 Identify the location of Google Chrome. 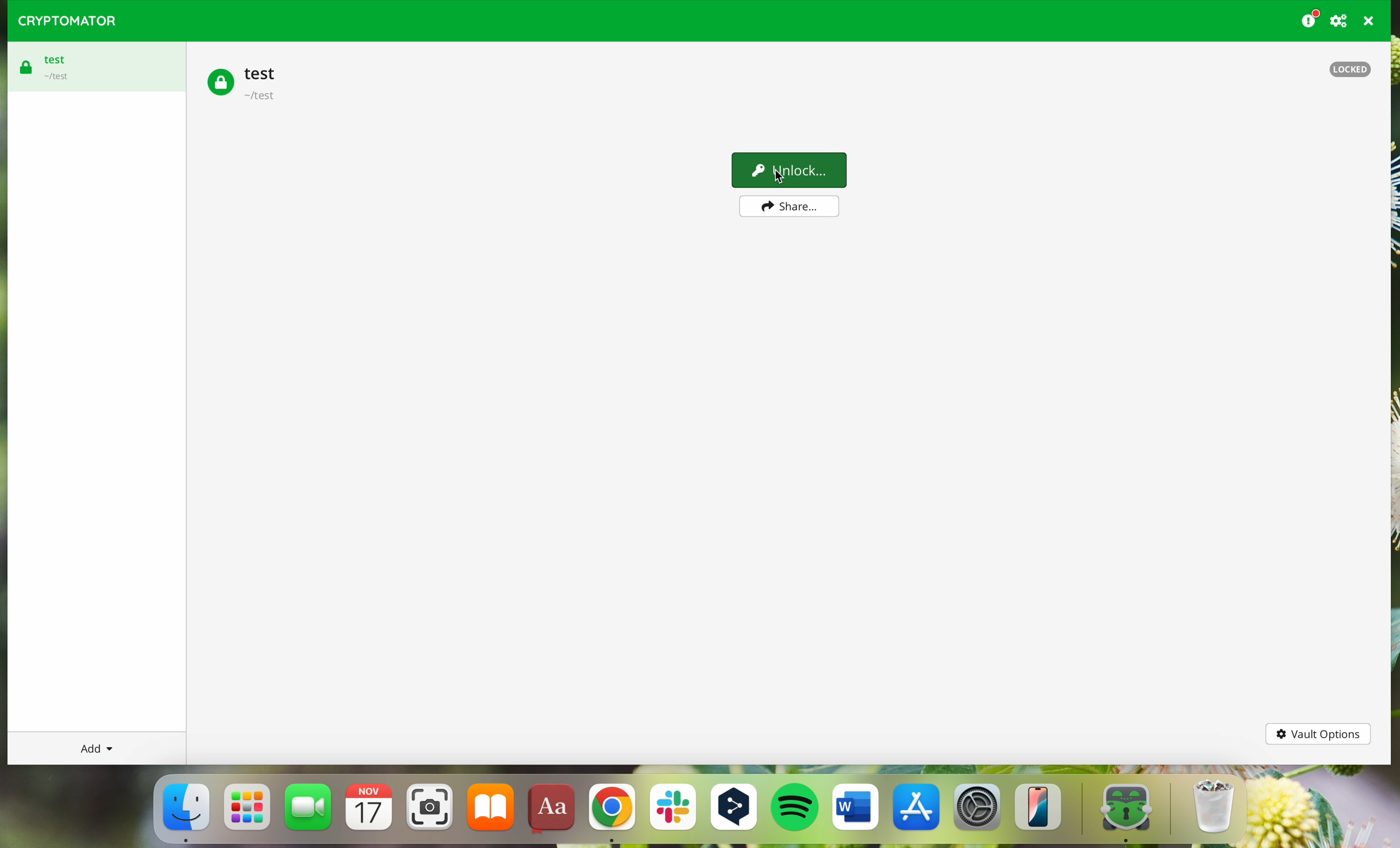
(611, 813).